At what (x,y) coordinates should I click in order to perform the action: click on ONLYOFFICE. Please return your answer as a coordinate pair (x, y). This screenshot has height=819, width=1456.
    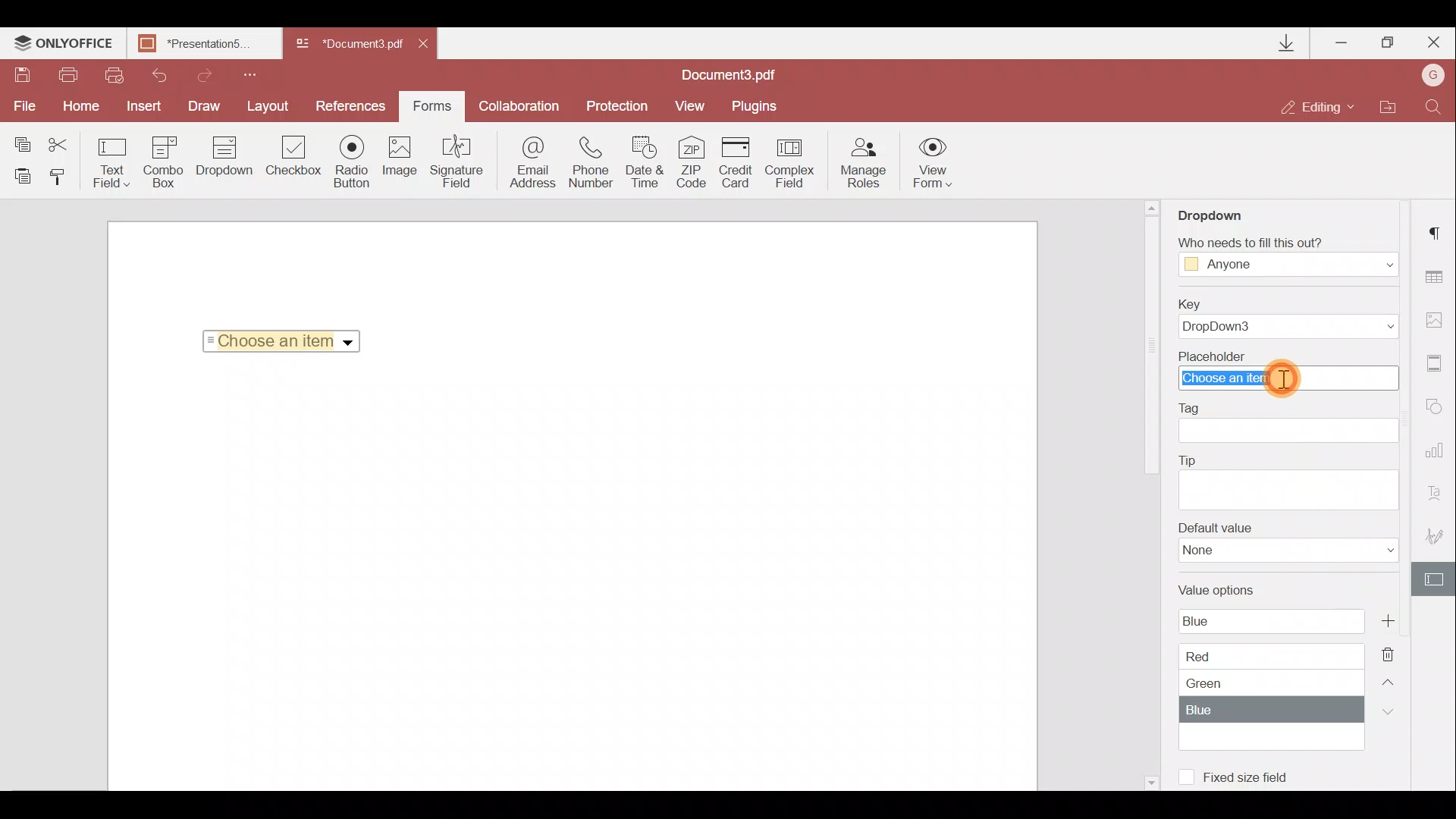
    Looking at the image, I should click on (64, 45).